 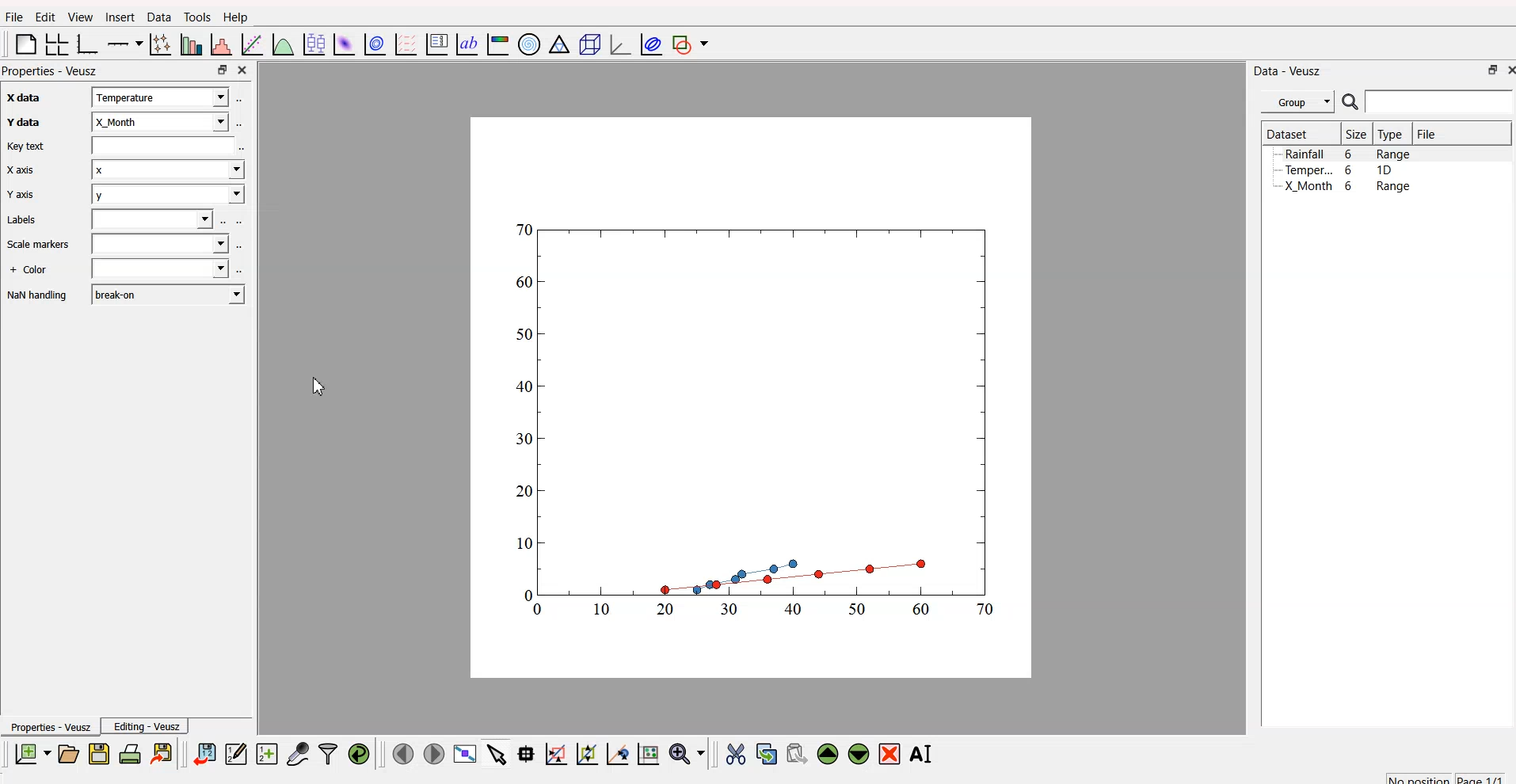 I want to click on Y data, so click(x=21, y=124).